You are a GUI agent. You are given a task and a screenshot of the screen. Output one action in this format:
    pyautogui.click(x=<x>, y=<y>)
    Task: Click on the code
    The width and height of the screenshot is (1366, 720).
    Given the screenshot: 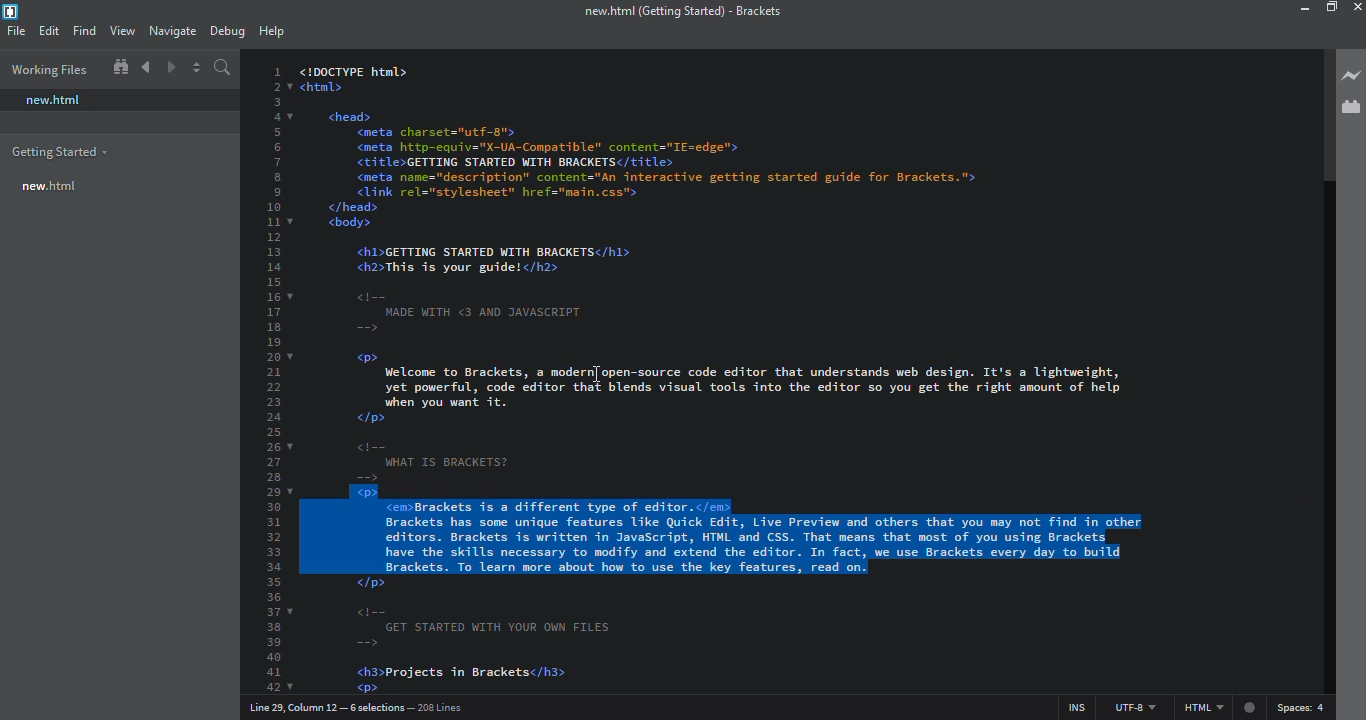 What is the action you would take?
    pyautogui.click(x=515, y=645)
    